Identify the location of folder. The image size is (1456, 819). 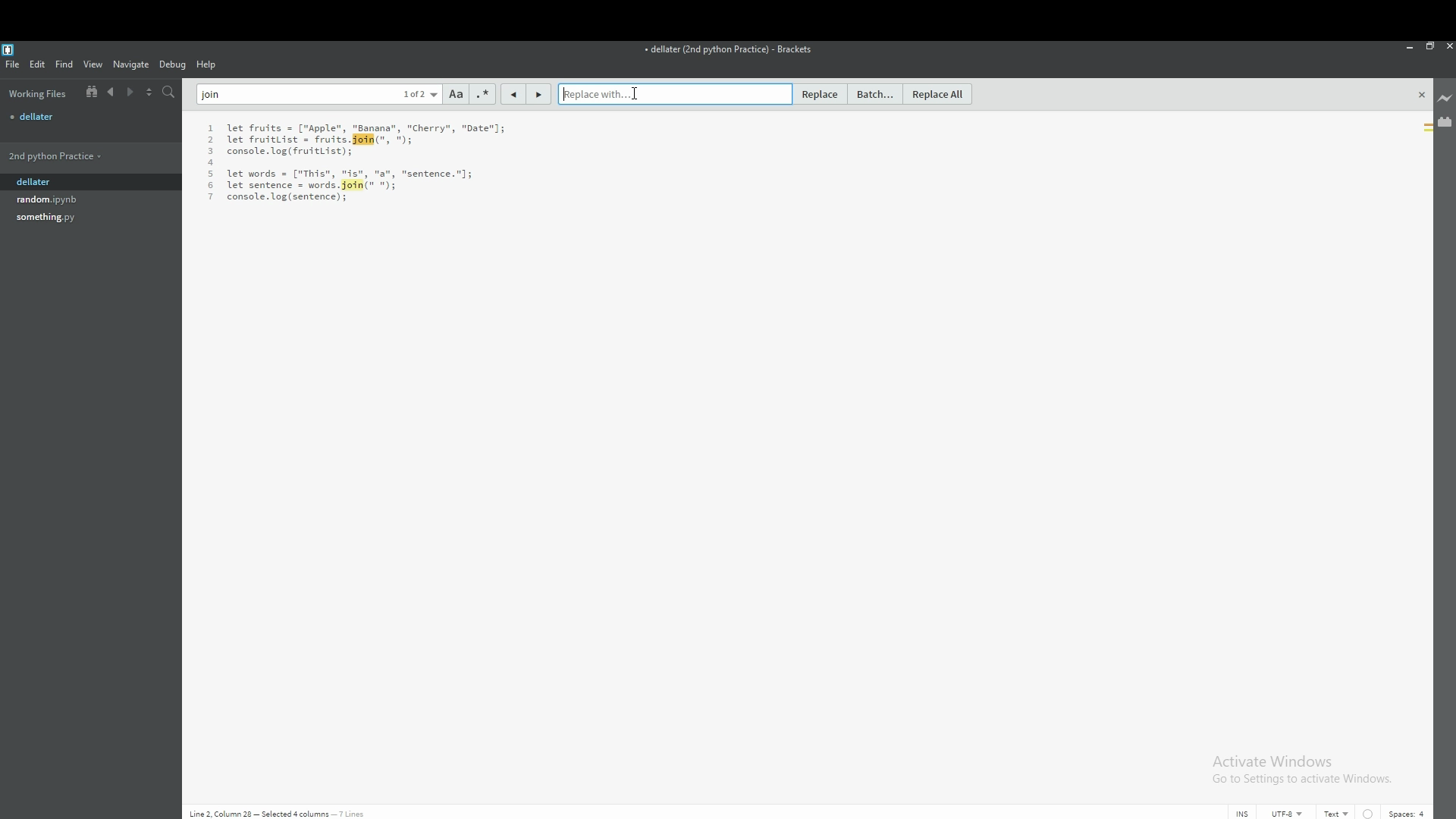
(69, 155).